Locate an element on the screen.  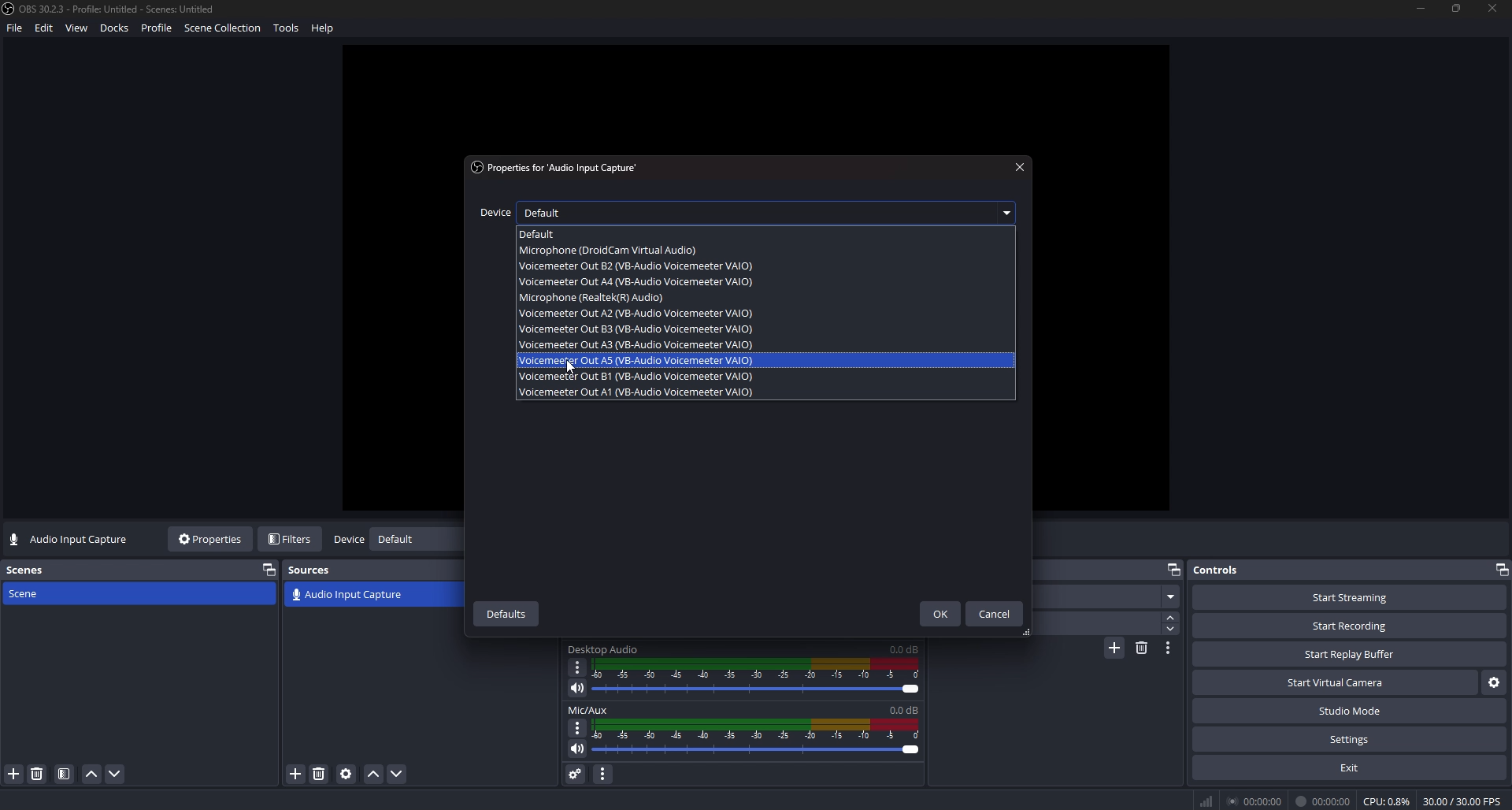
advanced audio properties is located at coordinates (575, 773).